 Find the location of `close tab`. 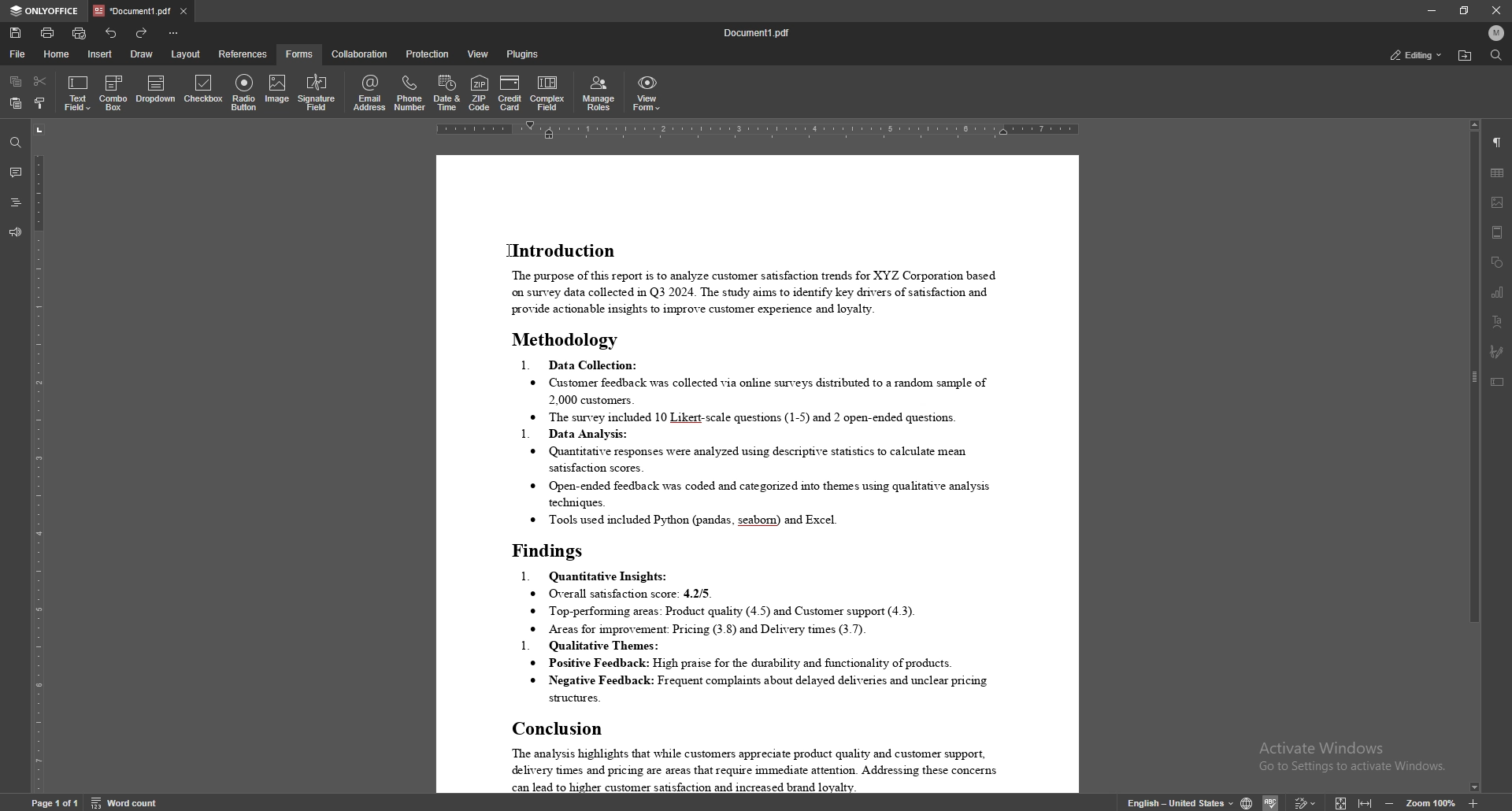

close tab is located at coordinates (184, 11).